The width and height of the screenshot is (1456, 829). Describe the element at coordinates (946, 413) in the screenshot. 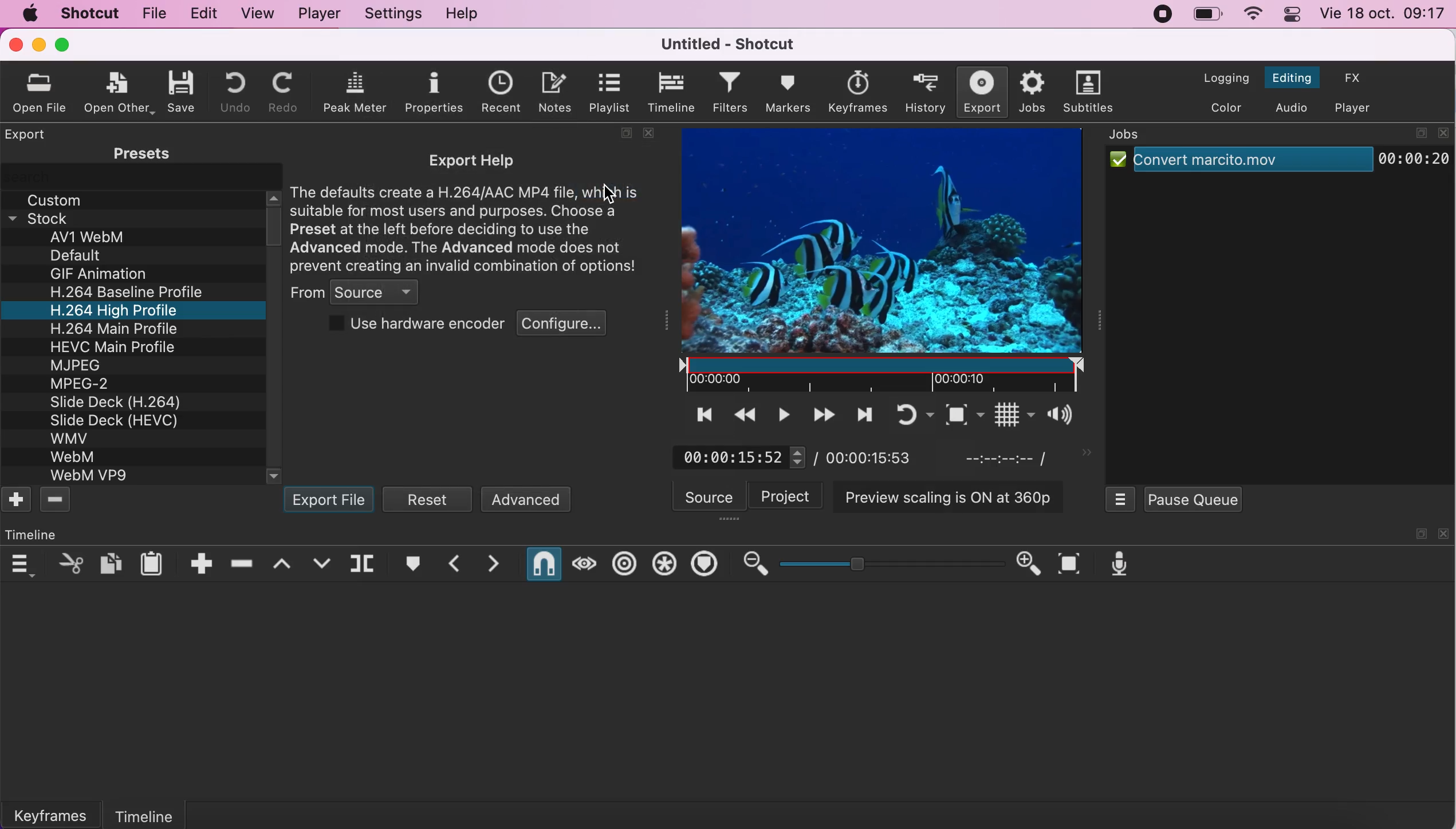

I see `toggle zoom` at that location.